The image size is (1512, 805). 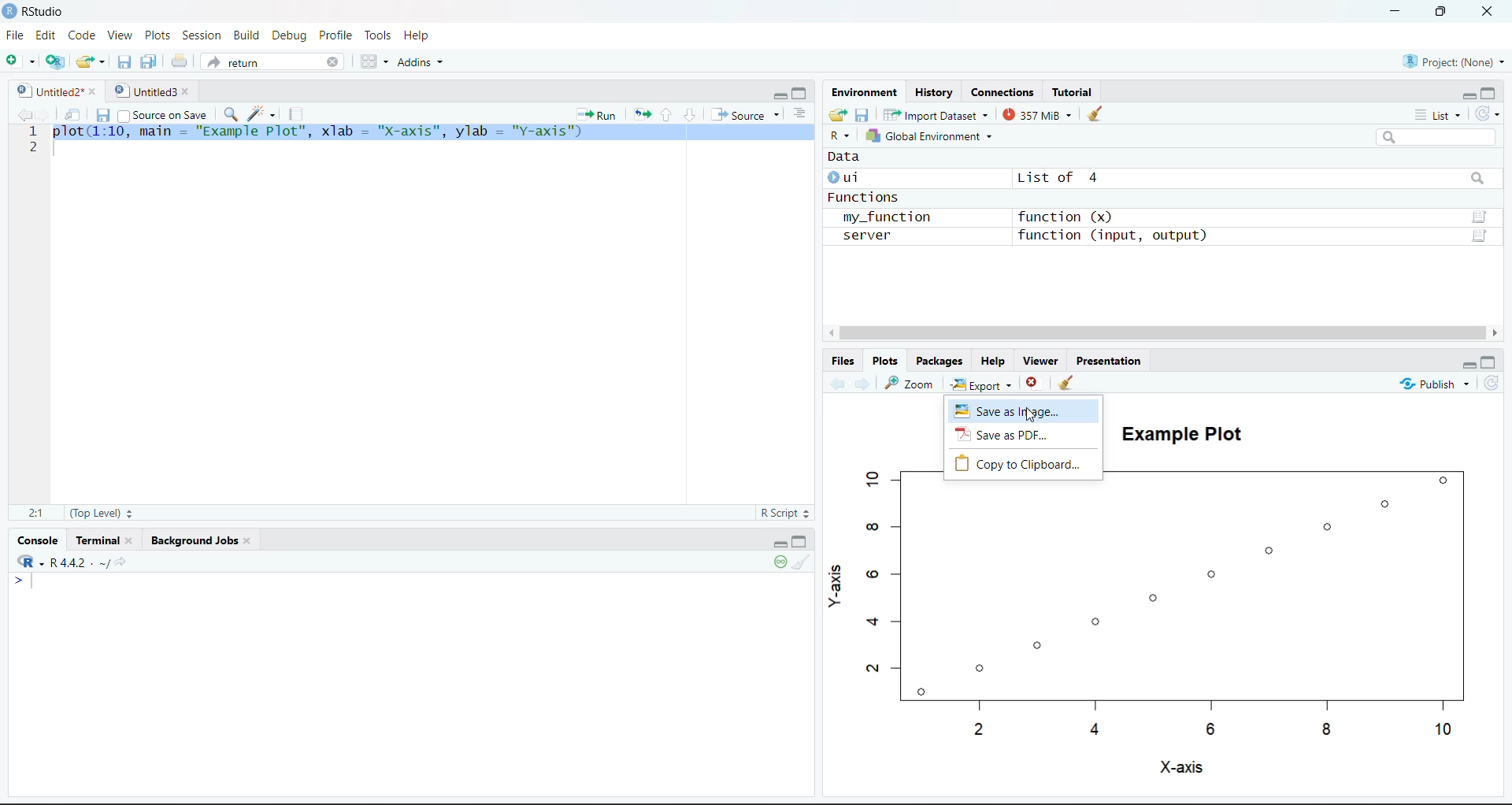 What do you see at coordinates (1480, 217) in the screenshot?
I see `Data/Table` at bounding box center [1480, 217].